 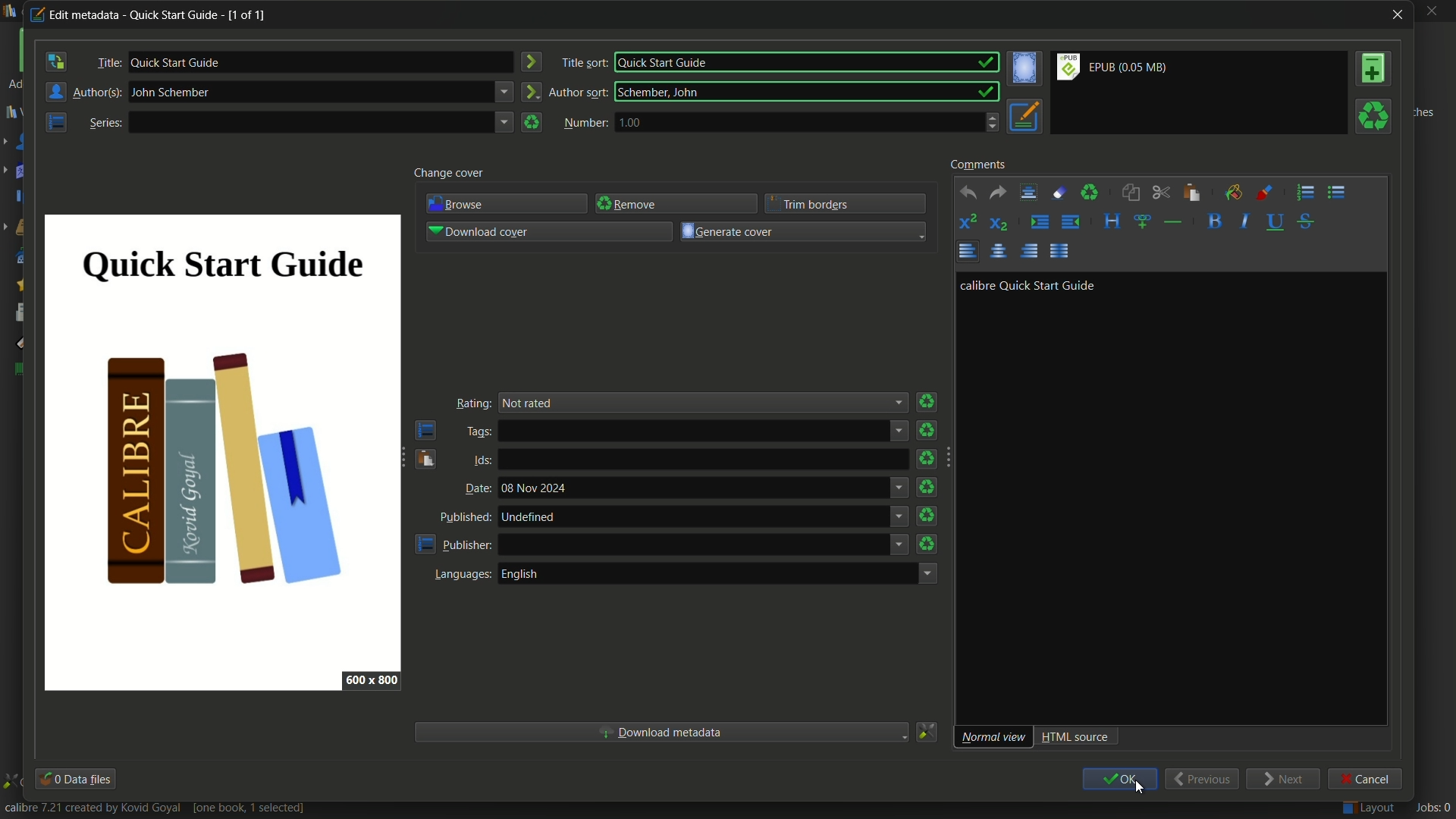 I want to click on redo, so click(x=999, y=194).